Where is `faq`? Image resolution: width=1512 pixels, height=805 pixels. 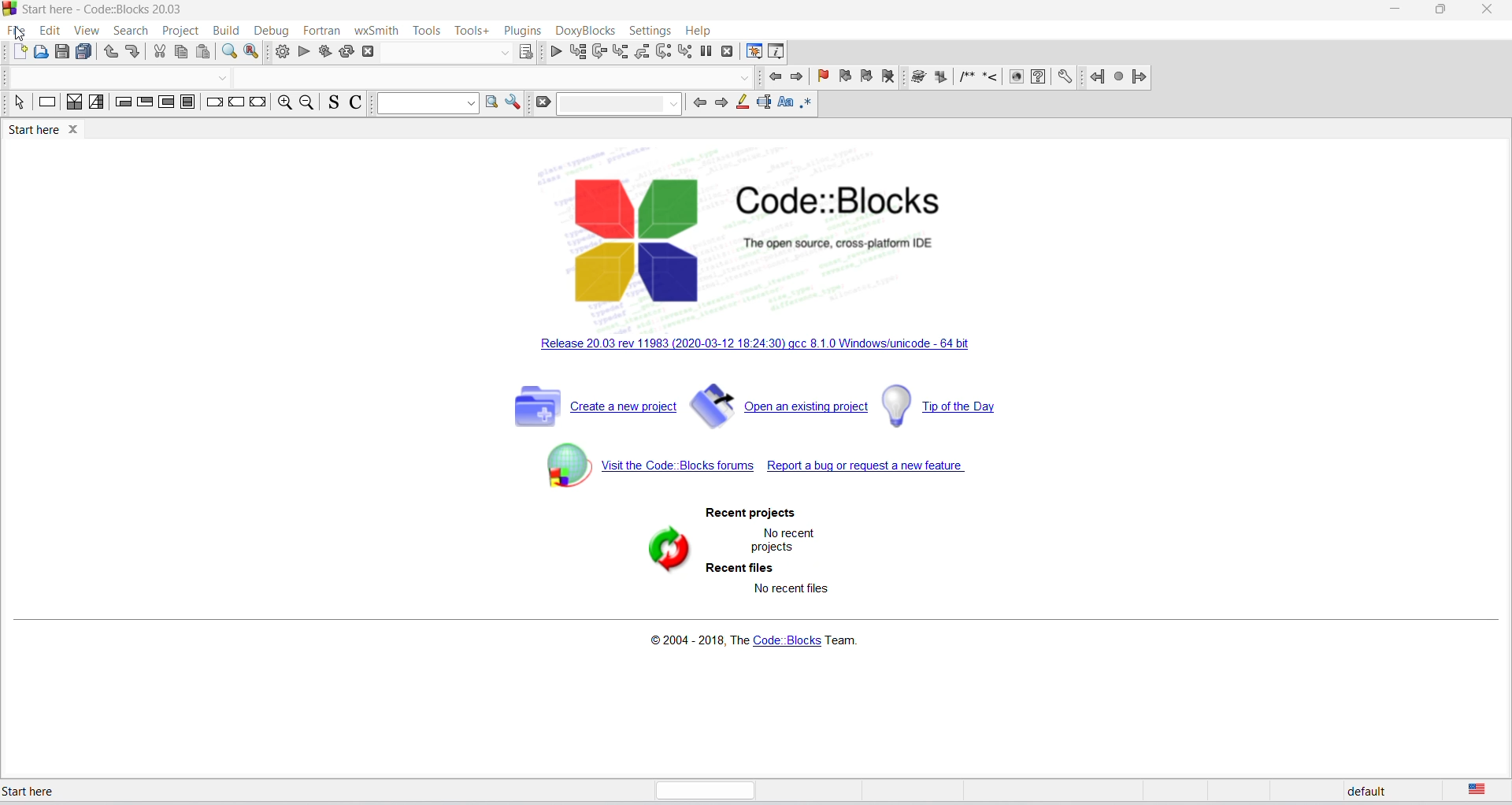
faq is located at coordinates (1039, 79).